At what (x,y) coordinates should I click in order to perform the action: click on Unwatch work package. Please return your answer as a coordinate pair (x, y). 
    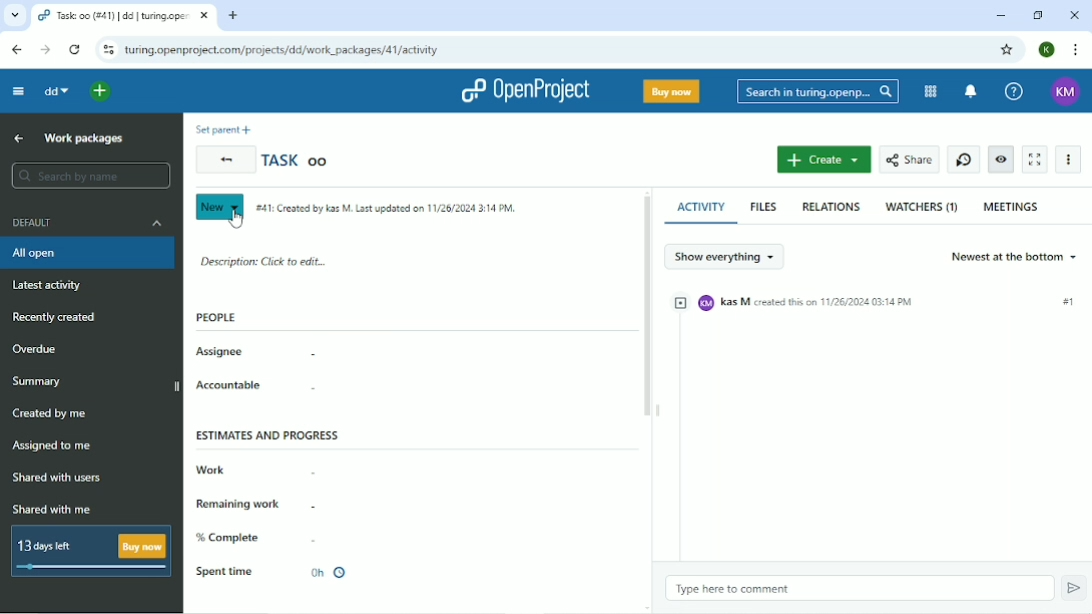
    Looking at the image, I should click on (1001, 159).